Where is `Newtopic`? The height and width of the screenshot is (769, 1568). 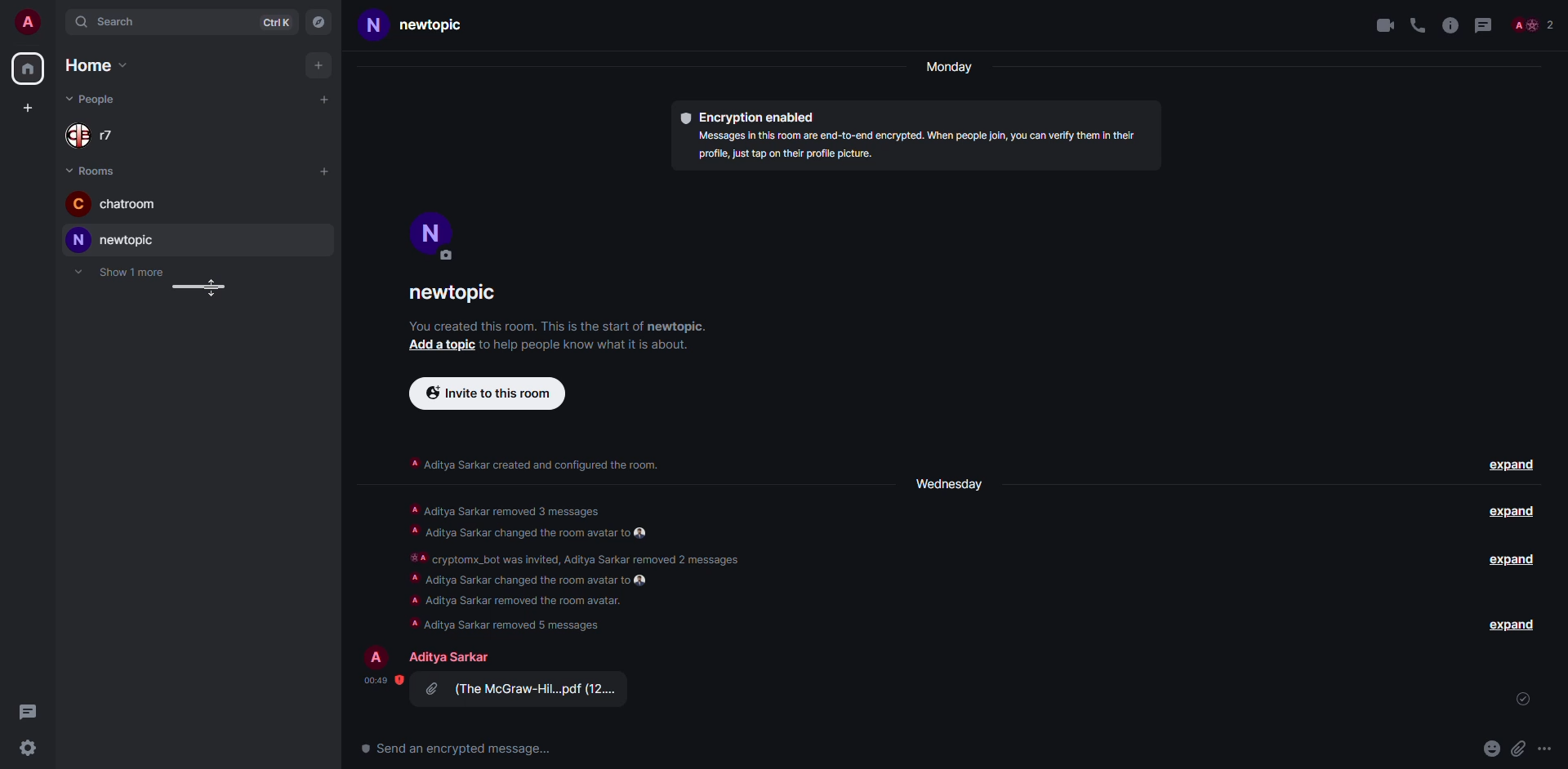 Newtopic is located at coordinates (405, 29).